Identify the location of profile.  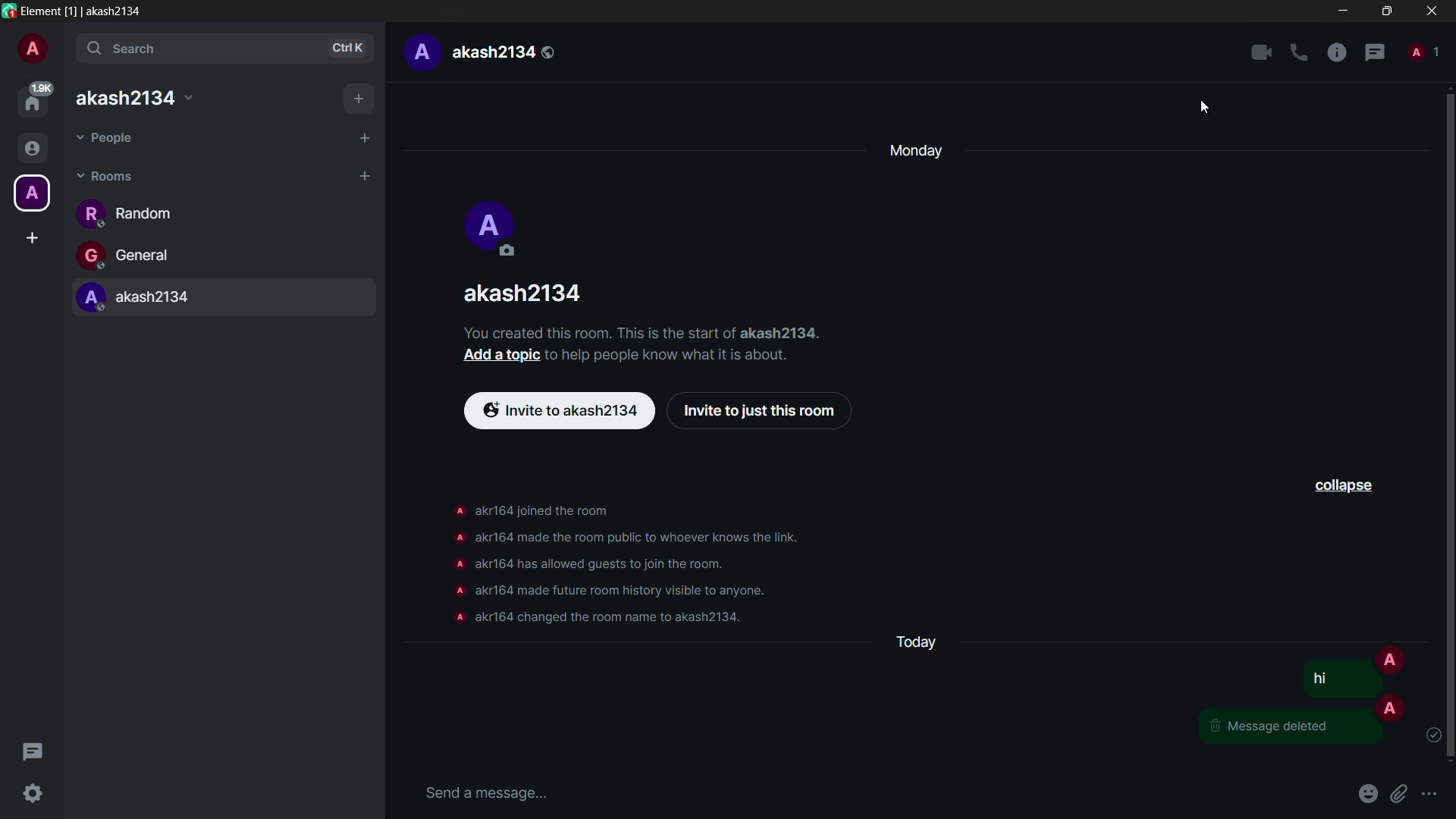
(457, 536).